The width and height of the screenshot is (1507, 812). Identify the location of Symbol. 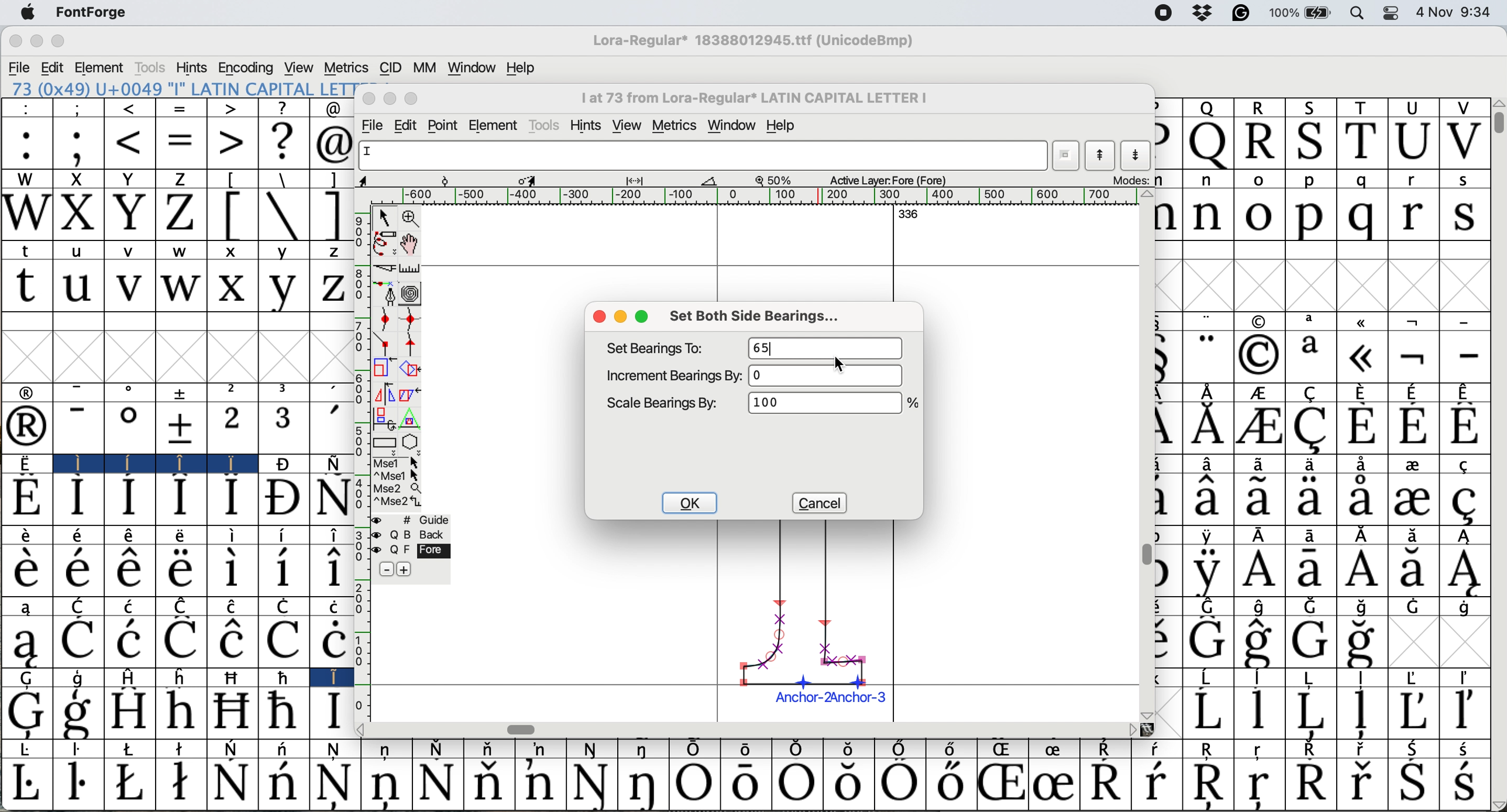
(132, 462).